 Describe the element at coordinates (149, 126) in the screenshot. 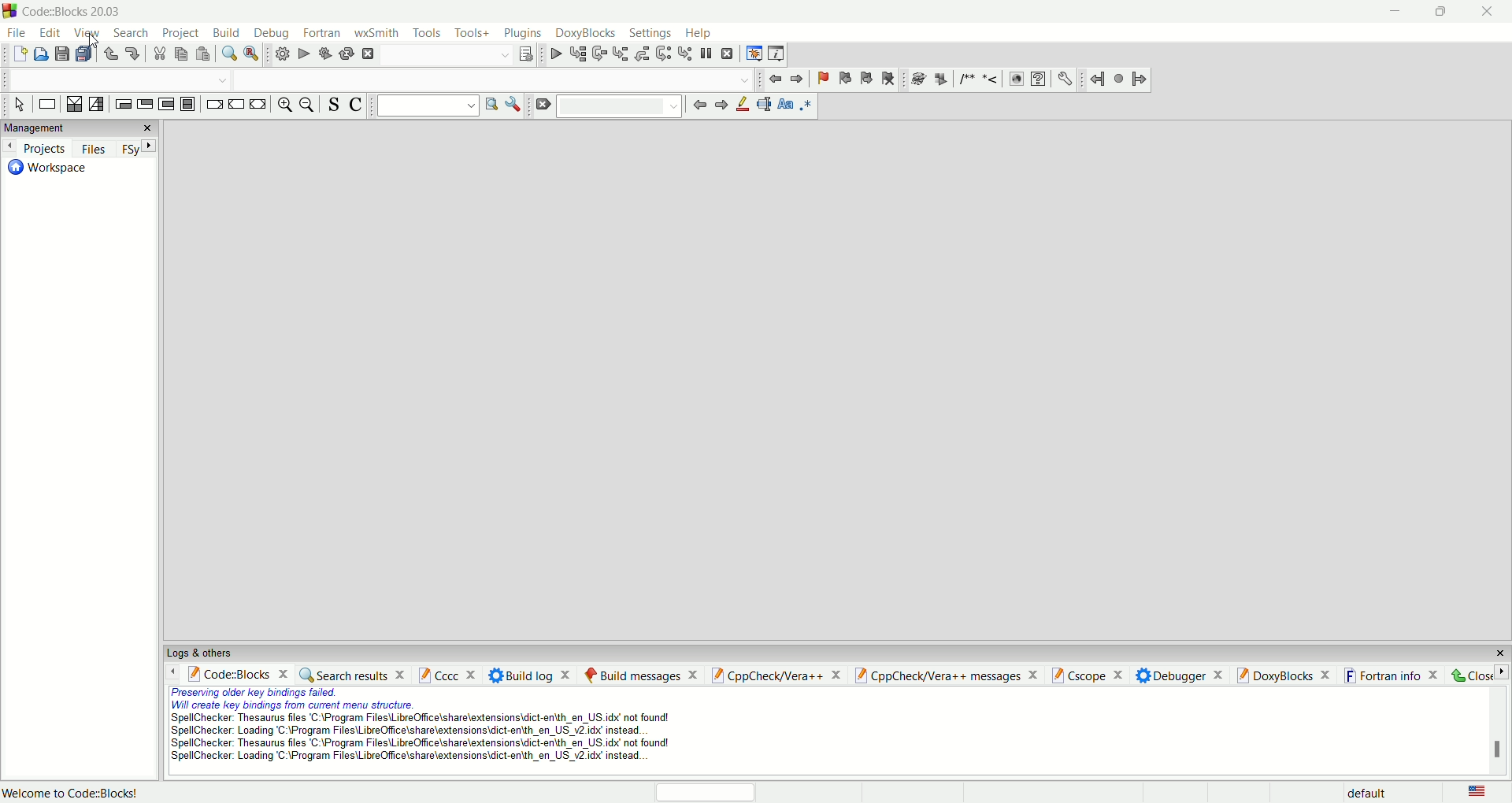

I see `close` at that location.